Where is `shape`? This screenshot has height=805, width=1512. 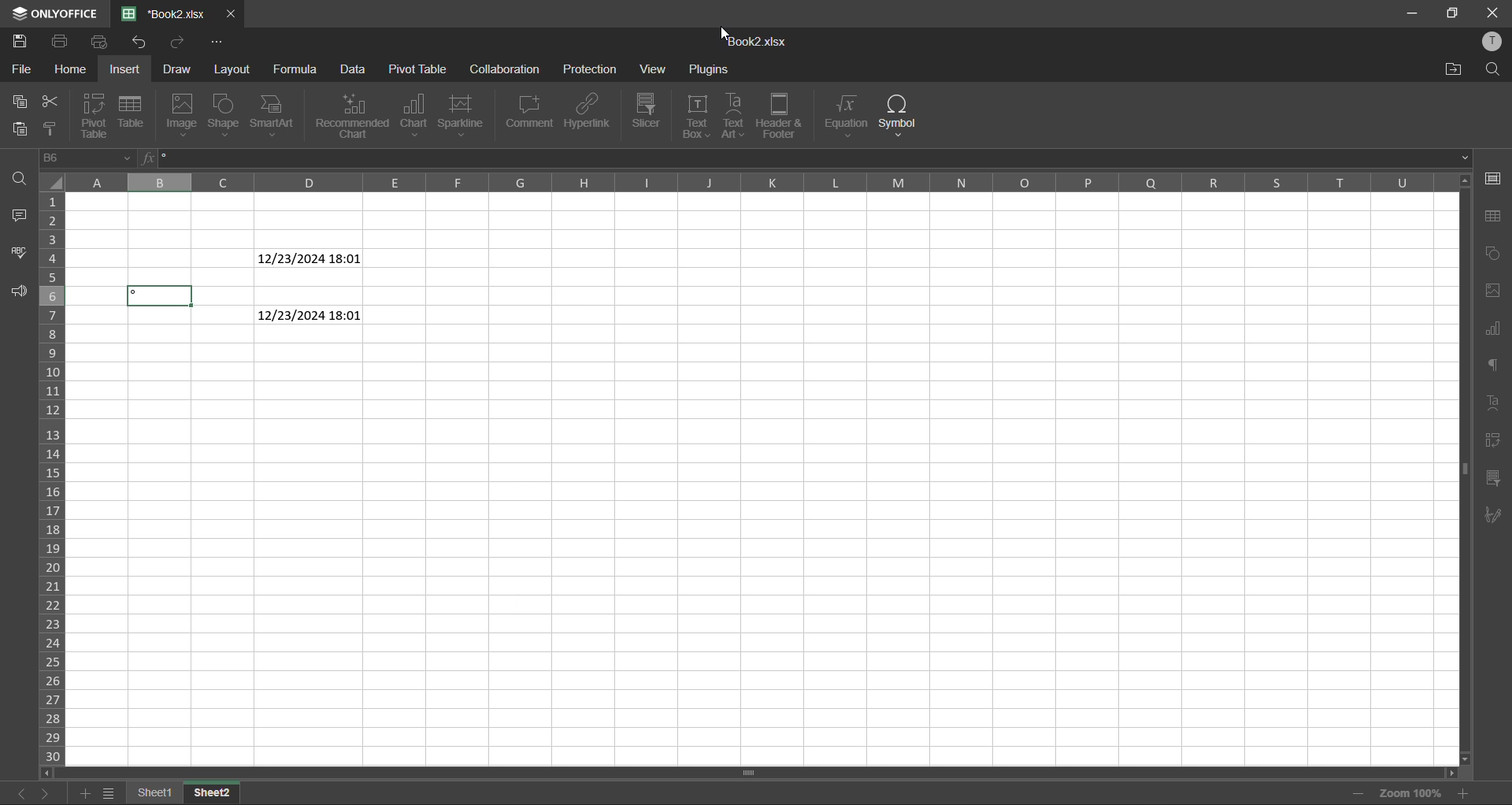
shape is located at coordinates (224, 116).